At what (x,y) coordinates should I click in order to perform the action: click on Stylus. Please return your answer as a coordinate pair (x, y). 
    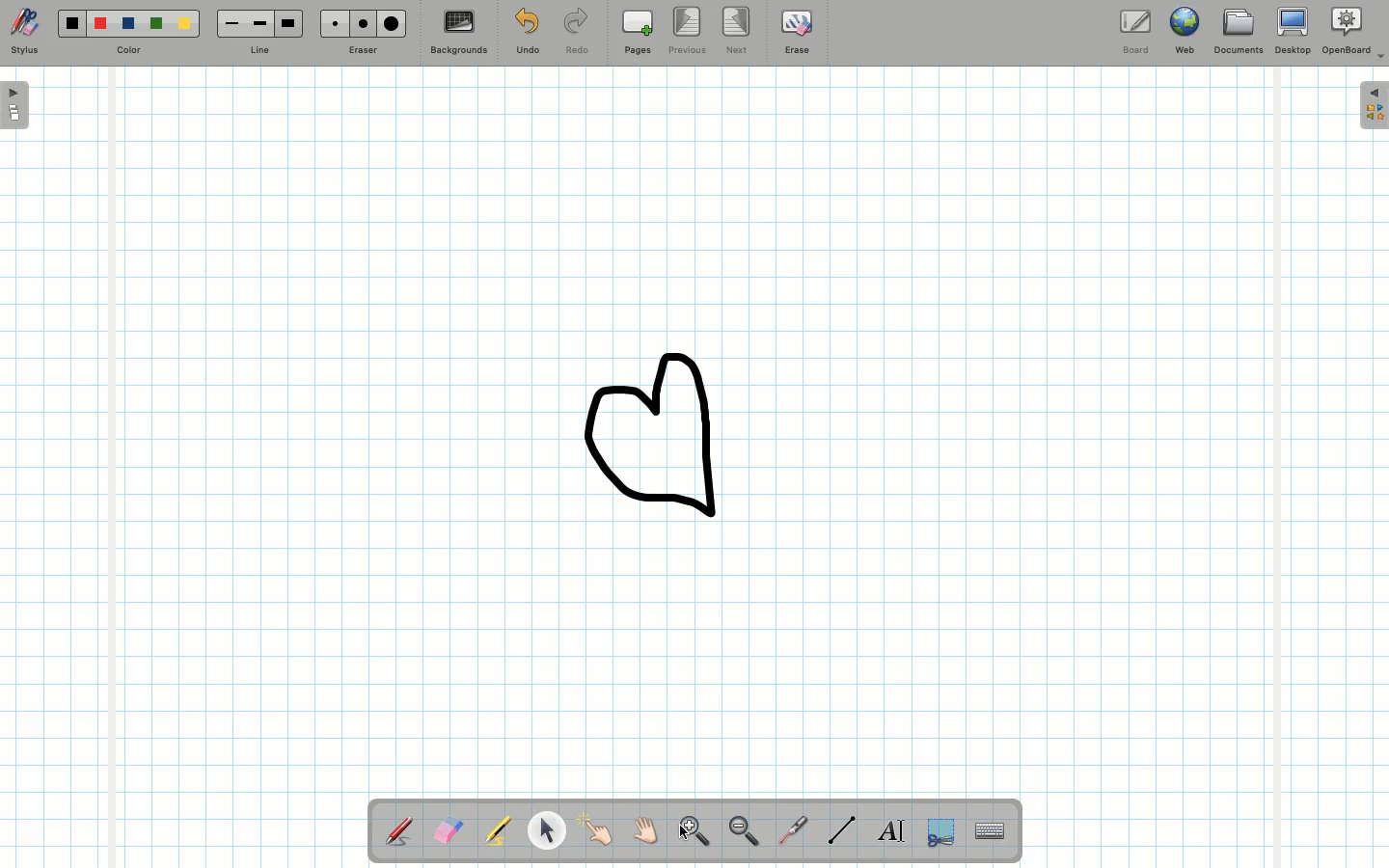
    Looking at the image, I should click on (398, 830).